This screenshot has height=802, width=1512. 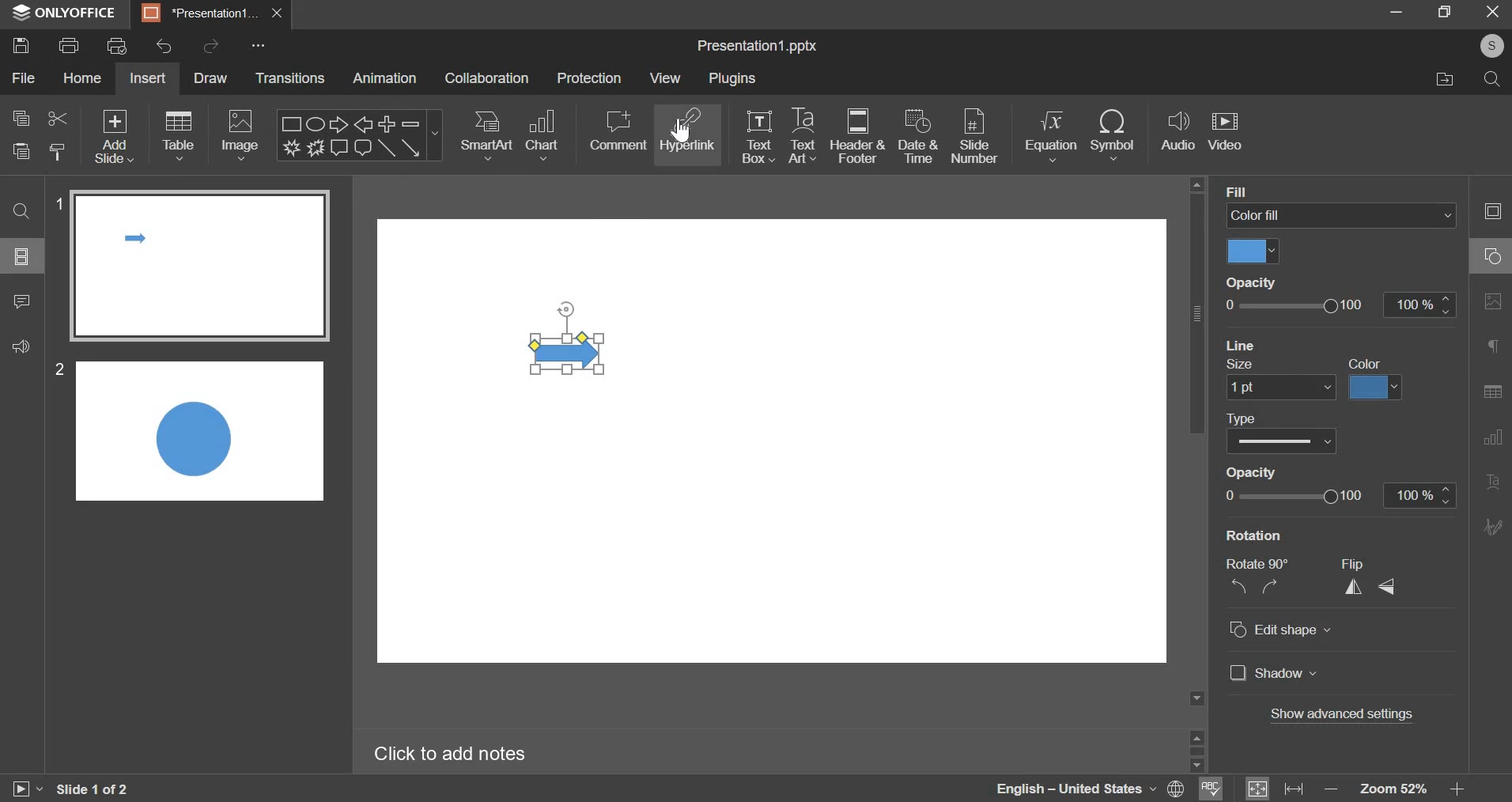 I want to click on Right arrow, so click(x=339, y=124).